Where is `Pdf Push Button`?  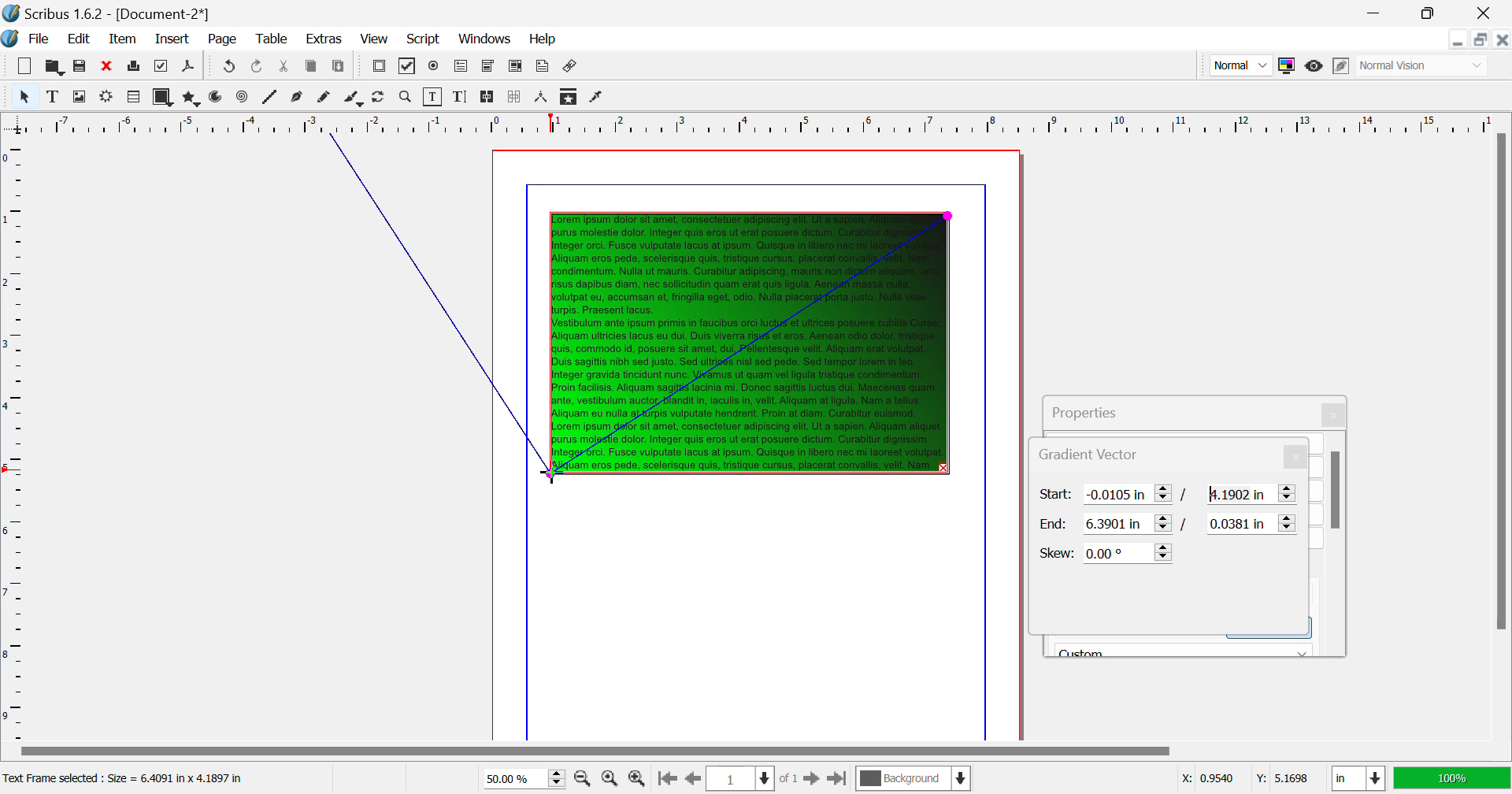 Pdf Push Button is located at coordinates (379, 68).